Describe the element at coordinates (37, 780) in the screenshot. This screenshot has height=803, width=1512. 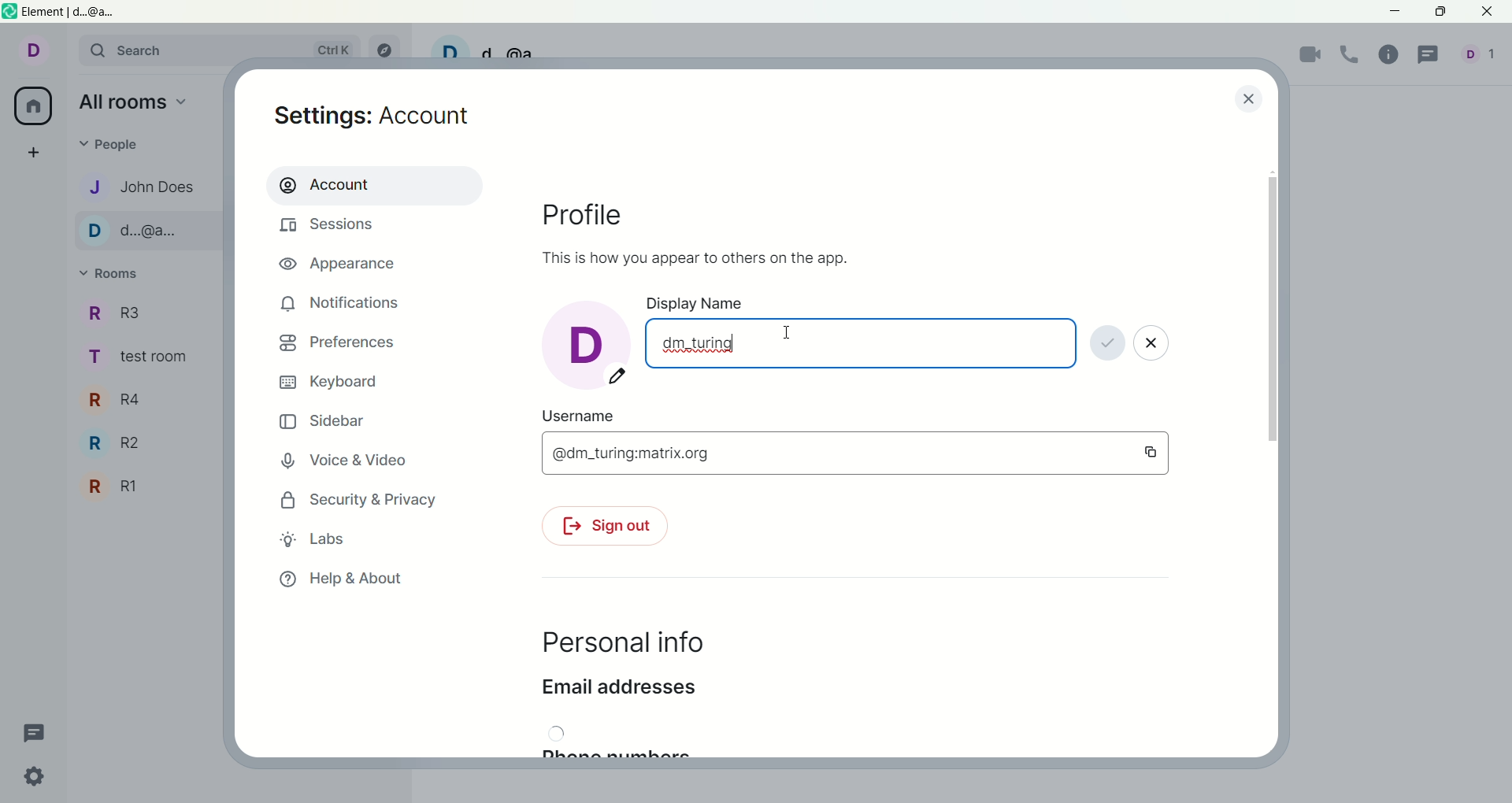
I see `quick settings` at that location.